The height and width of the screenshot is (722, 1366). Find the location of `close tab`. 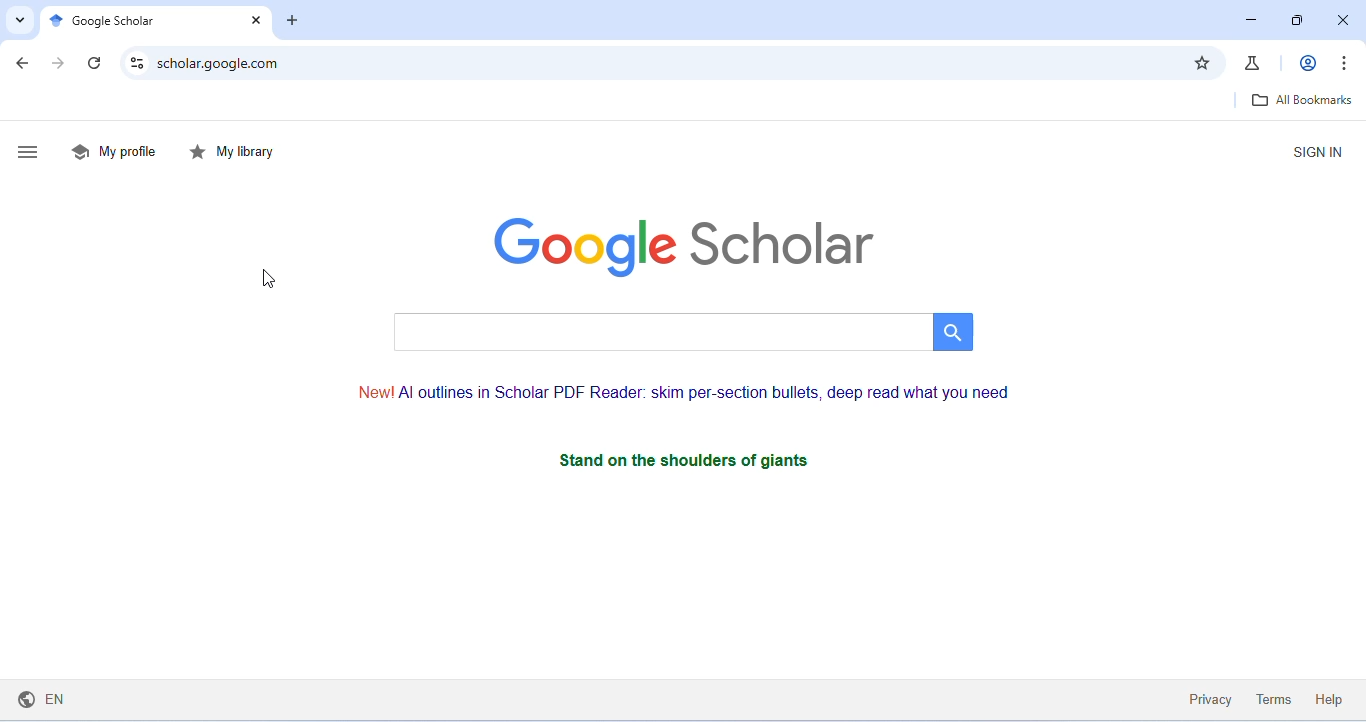

close tab is located at coordinates (253, 22).